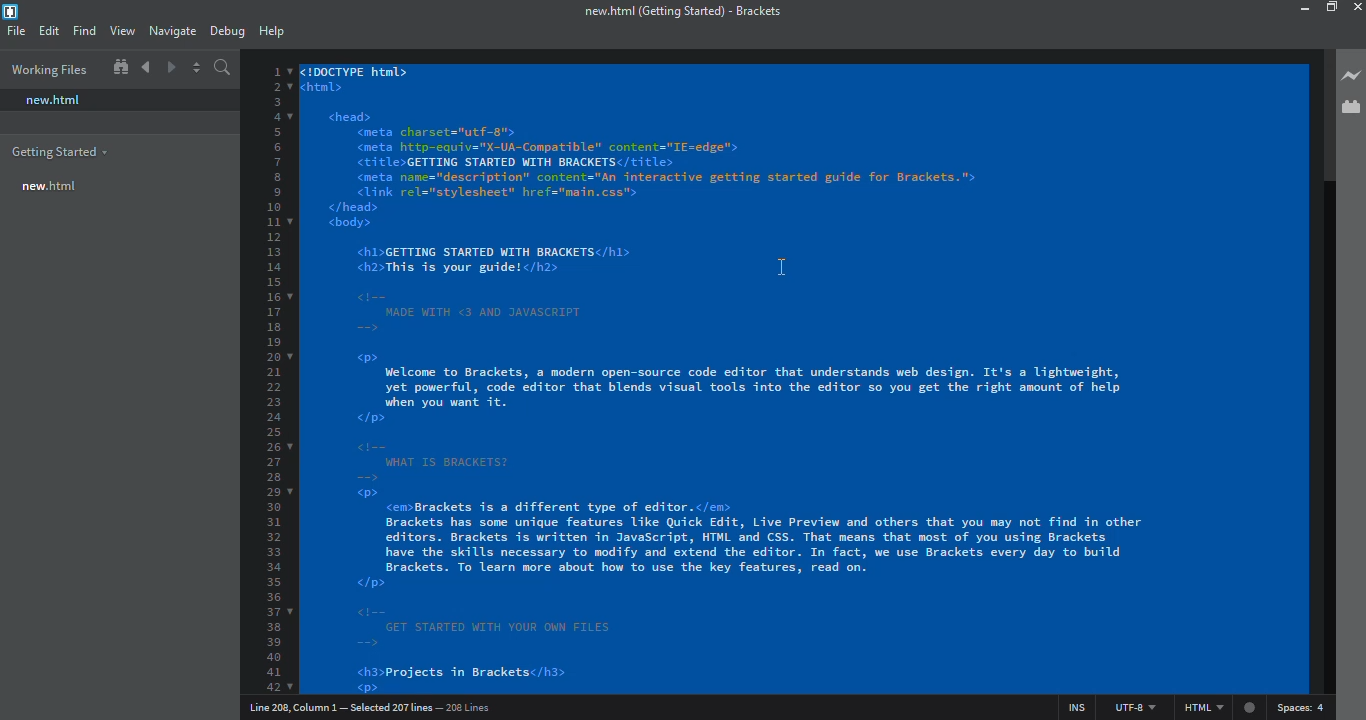 The width and height of the screenshot is (1366, 720). I want to click on live preview, so click(1349, 76).